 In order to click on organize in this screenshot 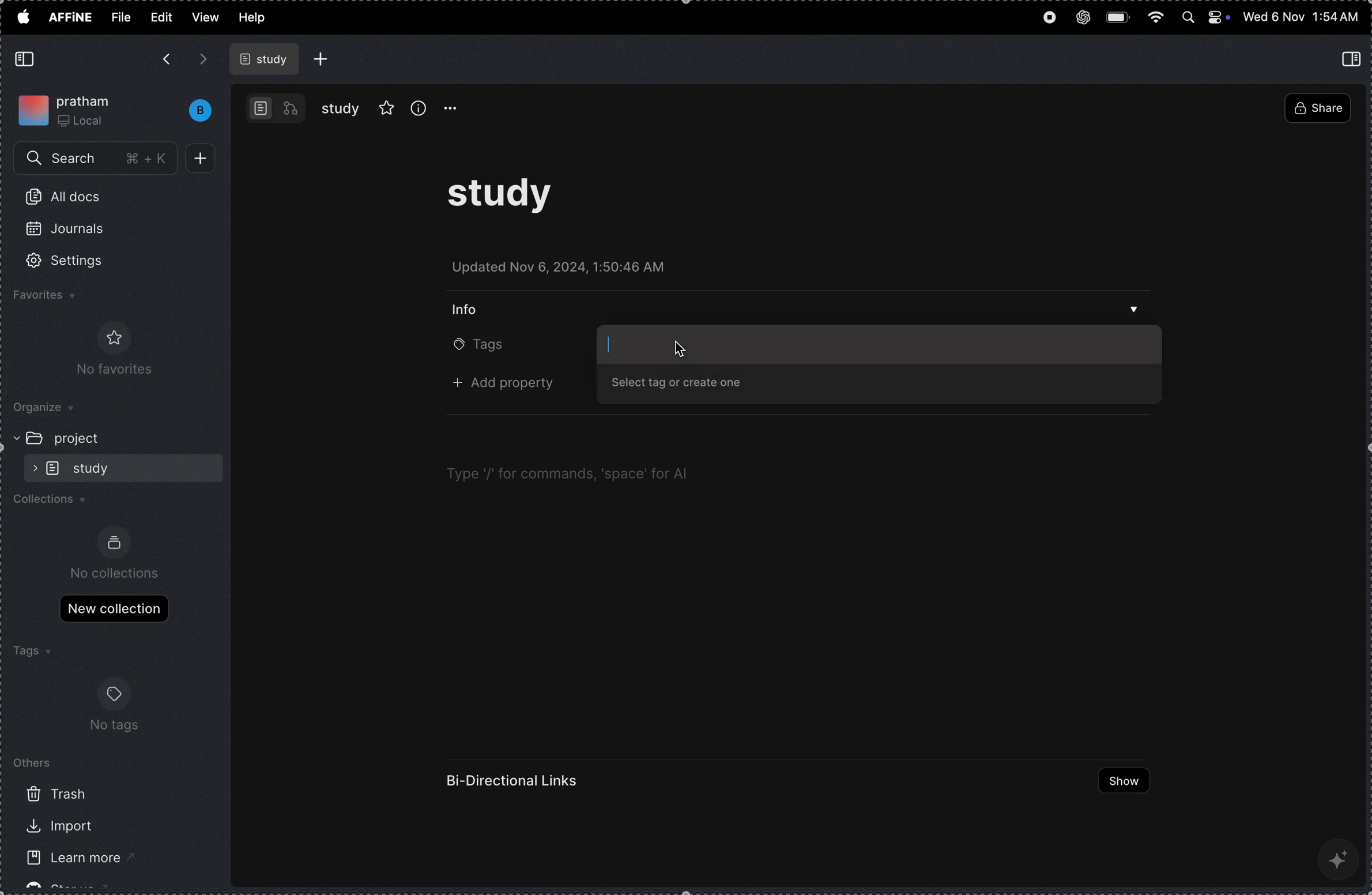, I will do `click(52, 409)`.